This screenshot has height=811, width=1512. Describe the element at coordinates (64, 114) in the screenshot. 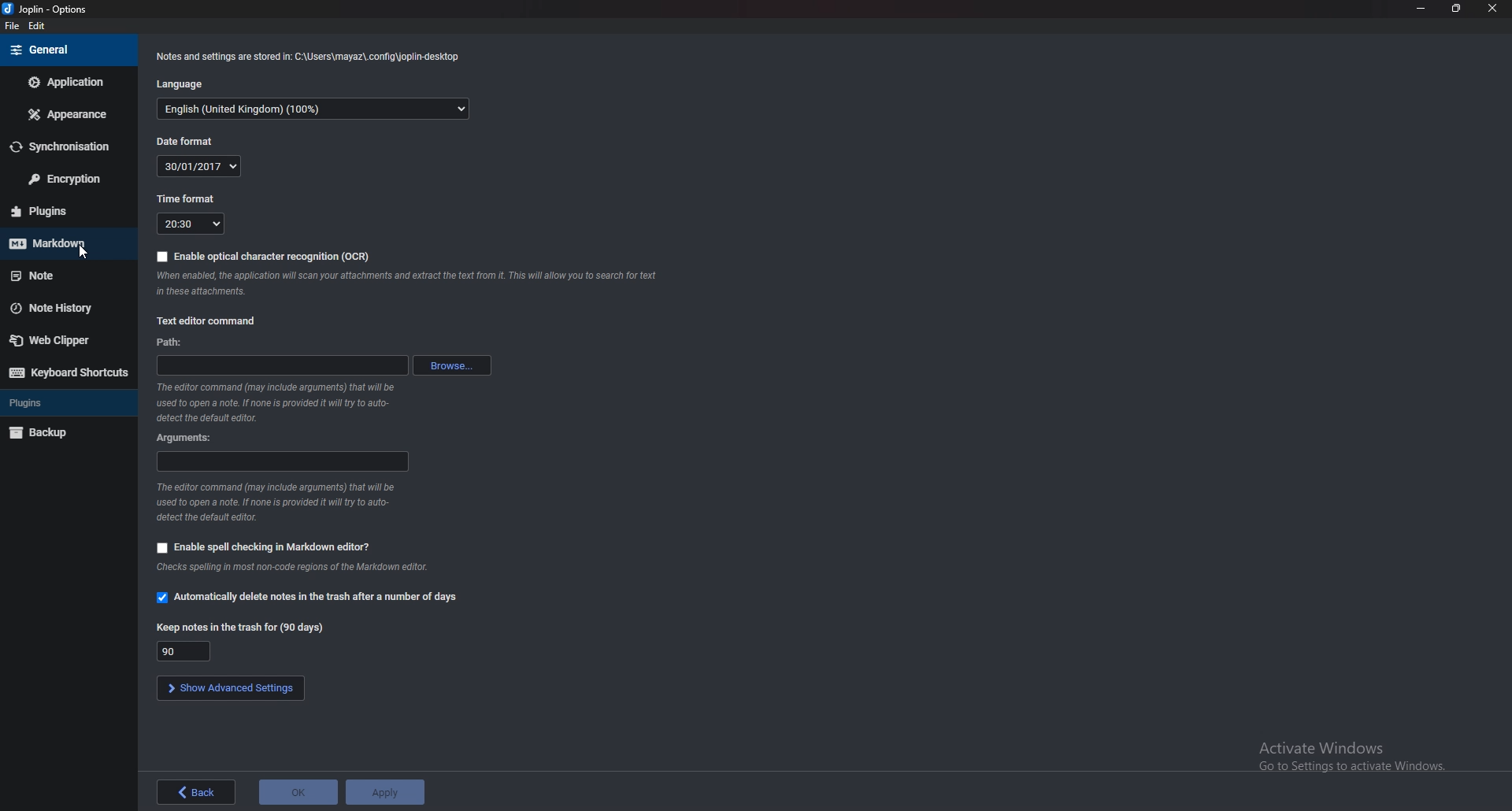

I see `appearance` at that location.